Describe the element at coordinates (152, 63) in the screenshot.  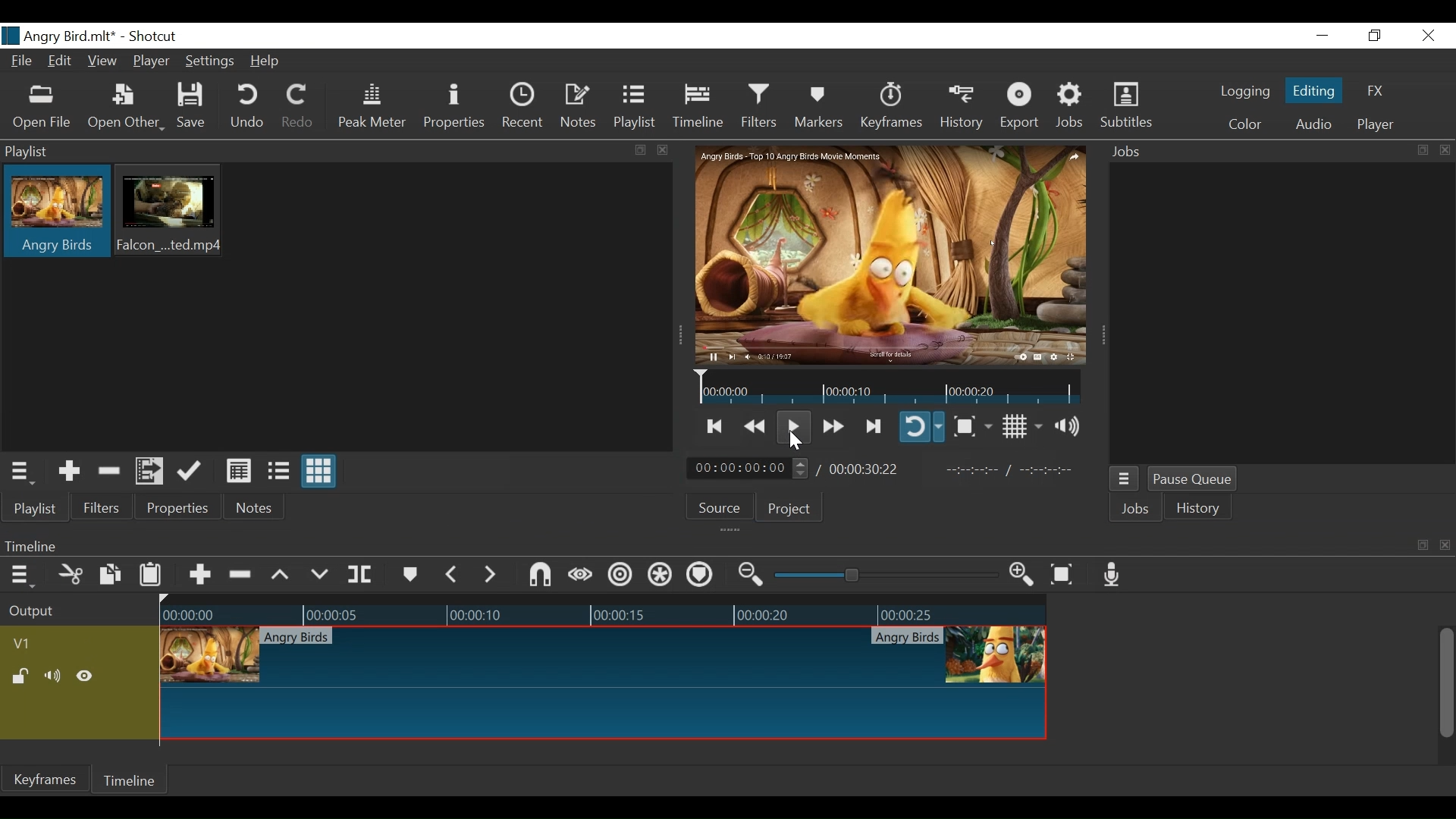
I see `Player` at that location.